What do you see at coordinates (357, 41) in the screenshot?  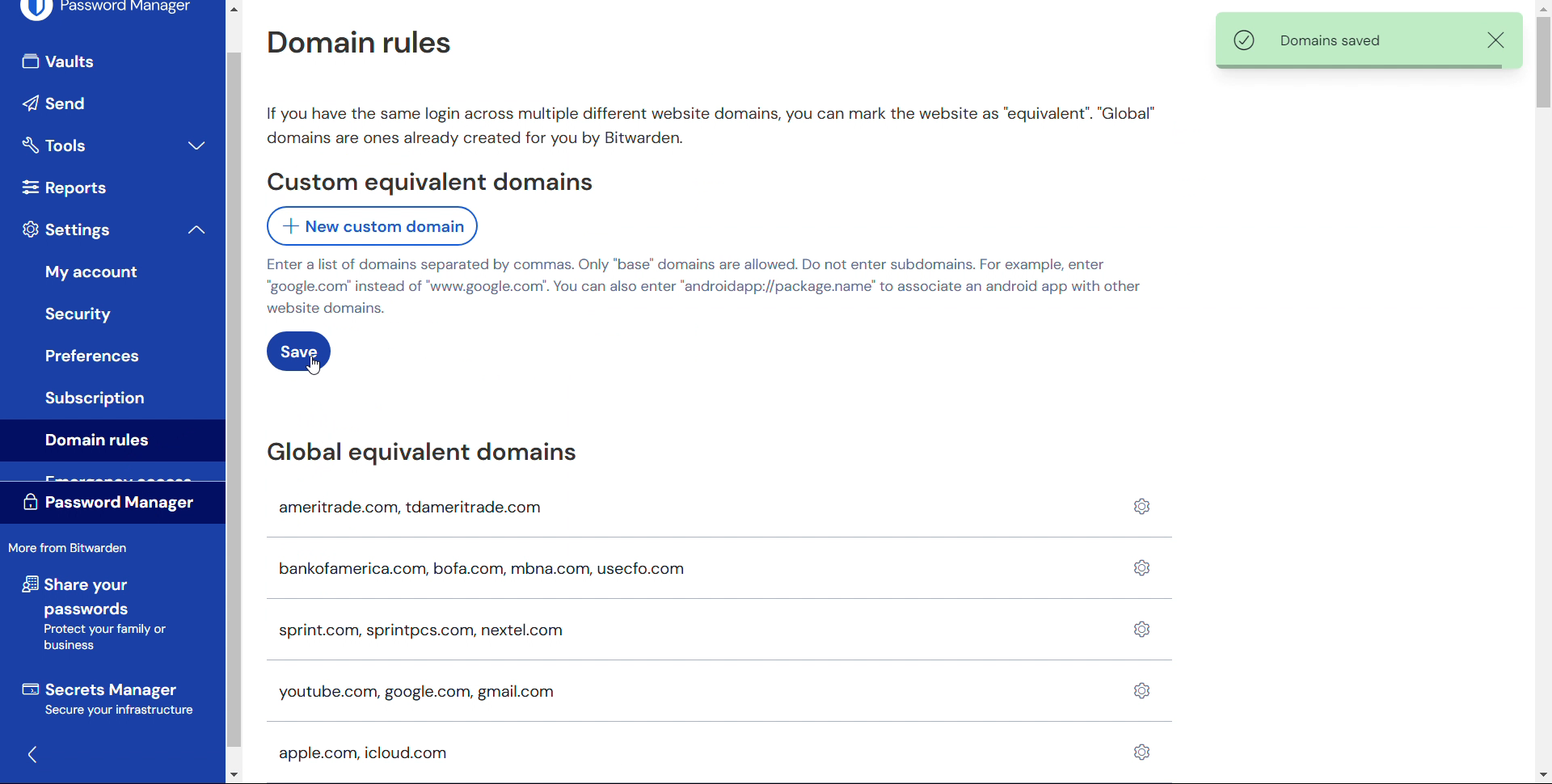 I see `Domain rules` at bounding box center [357, 41].